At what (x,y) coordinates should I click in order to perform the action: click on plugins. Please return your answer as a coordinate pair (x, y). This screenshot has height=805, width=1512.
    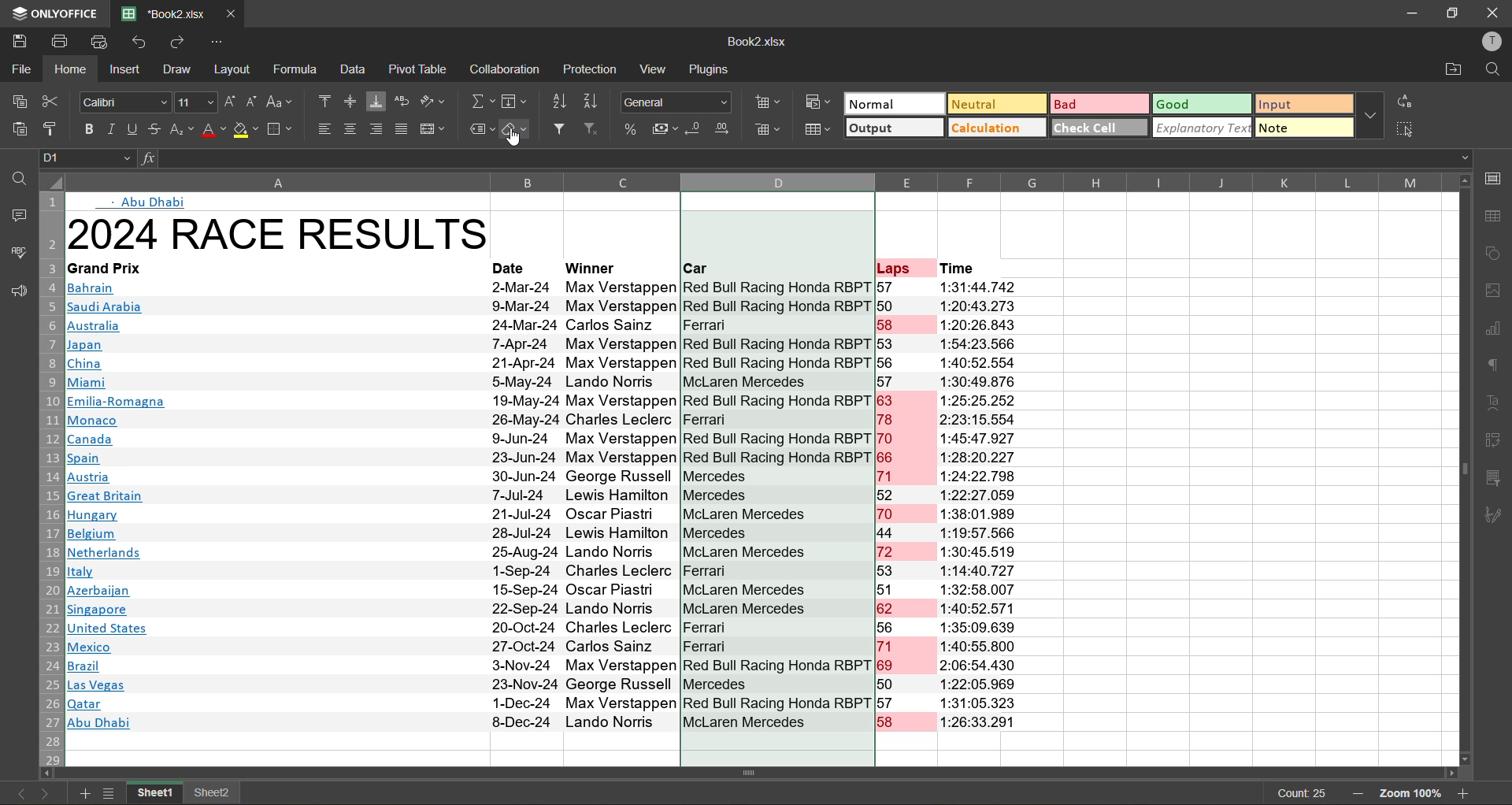
    Looking at the image, I should click on (709, 69).